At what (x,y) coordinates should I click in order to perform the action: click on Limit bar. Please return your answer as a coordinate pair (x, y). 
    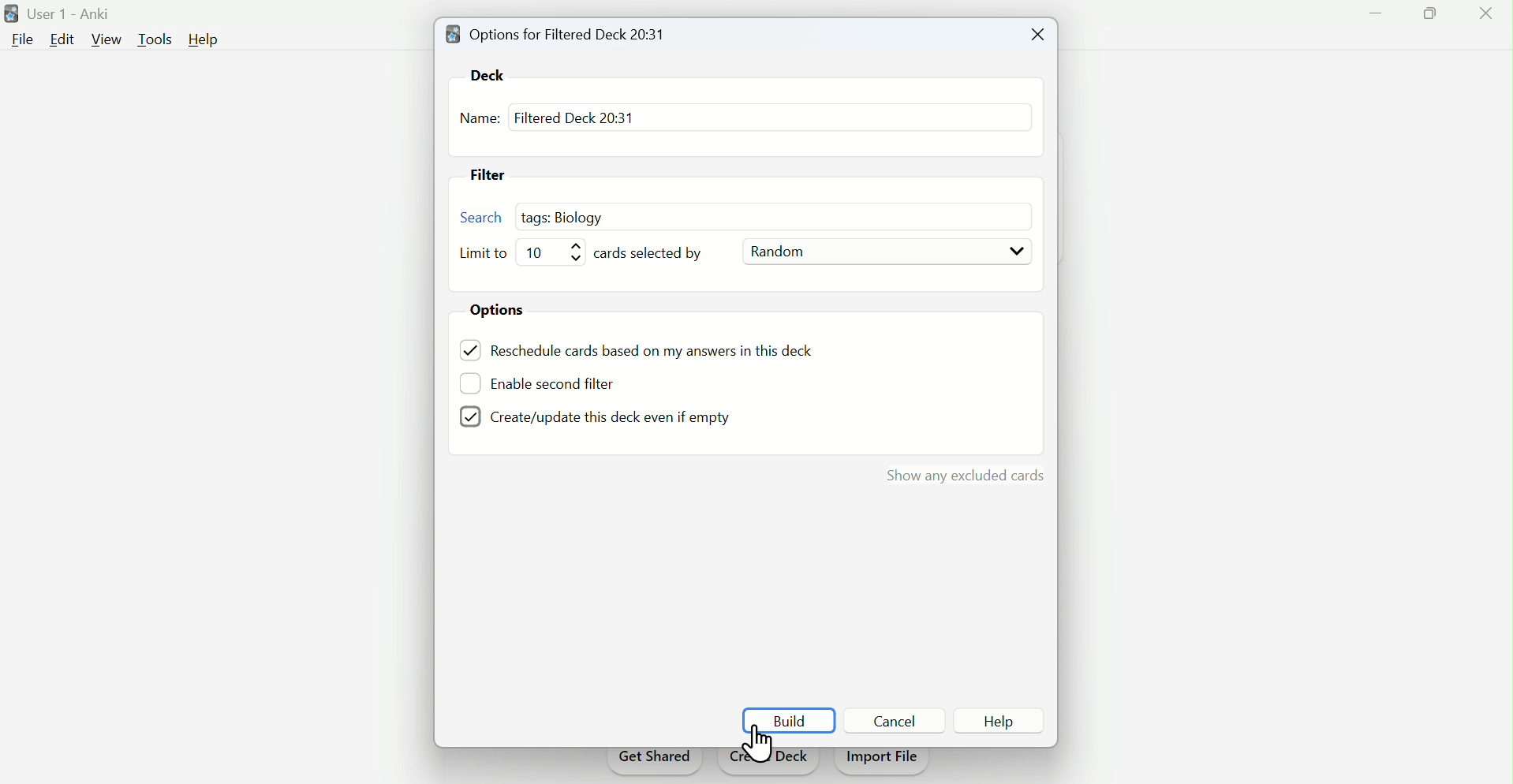
    Looking at the image, I should click on (557, 252).